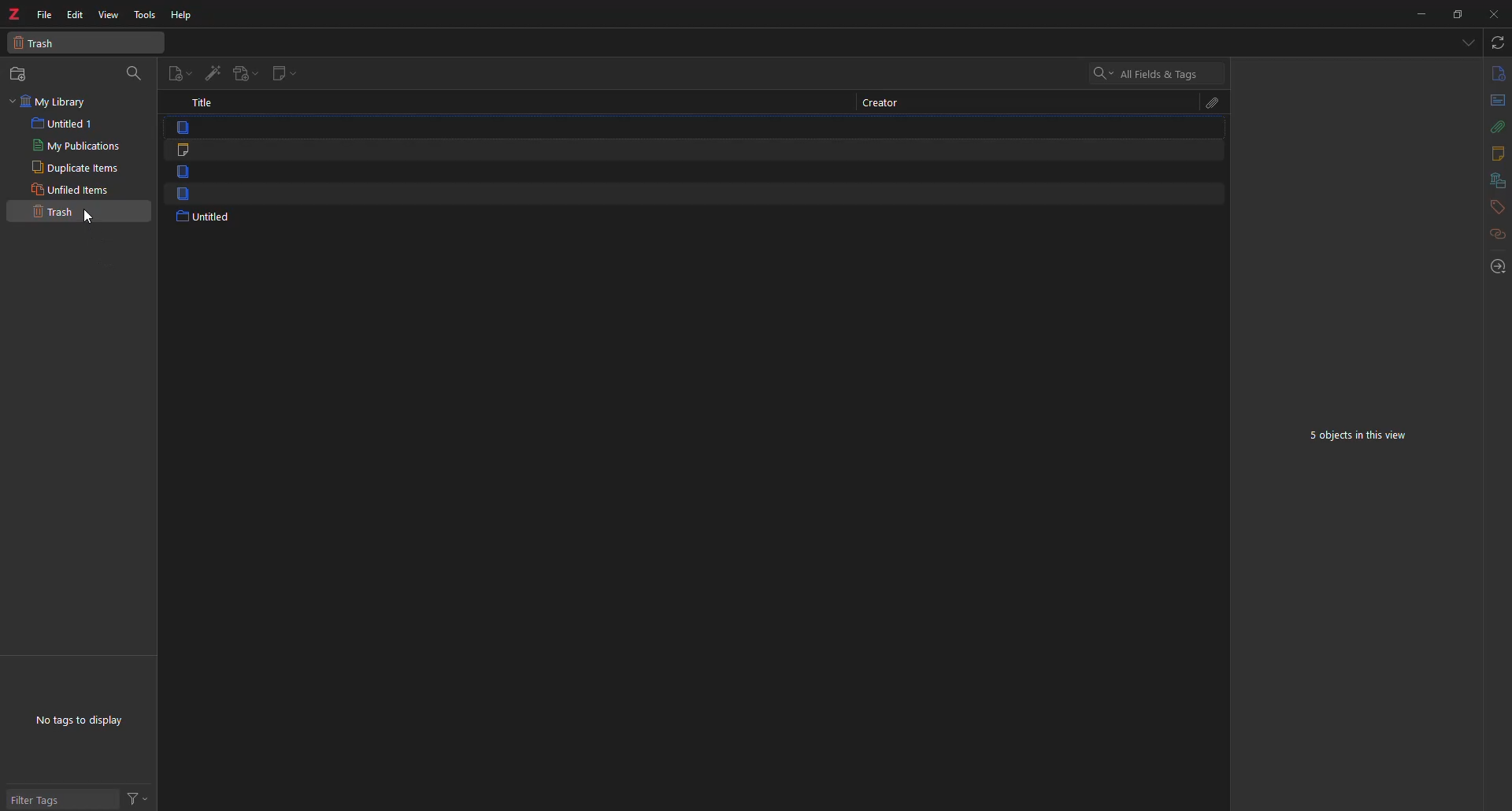  I want to click on file, so click(44, 14).